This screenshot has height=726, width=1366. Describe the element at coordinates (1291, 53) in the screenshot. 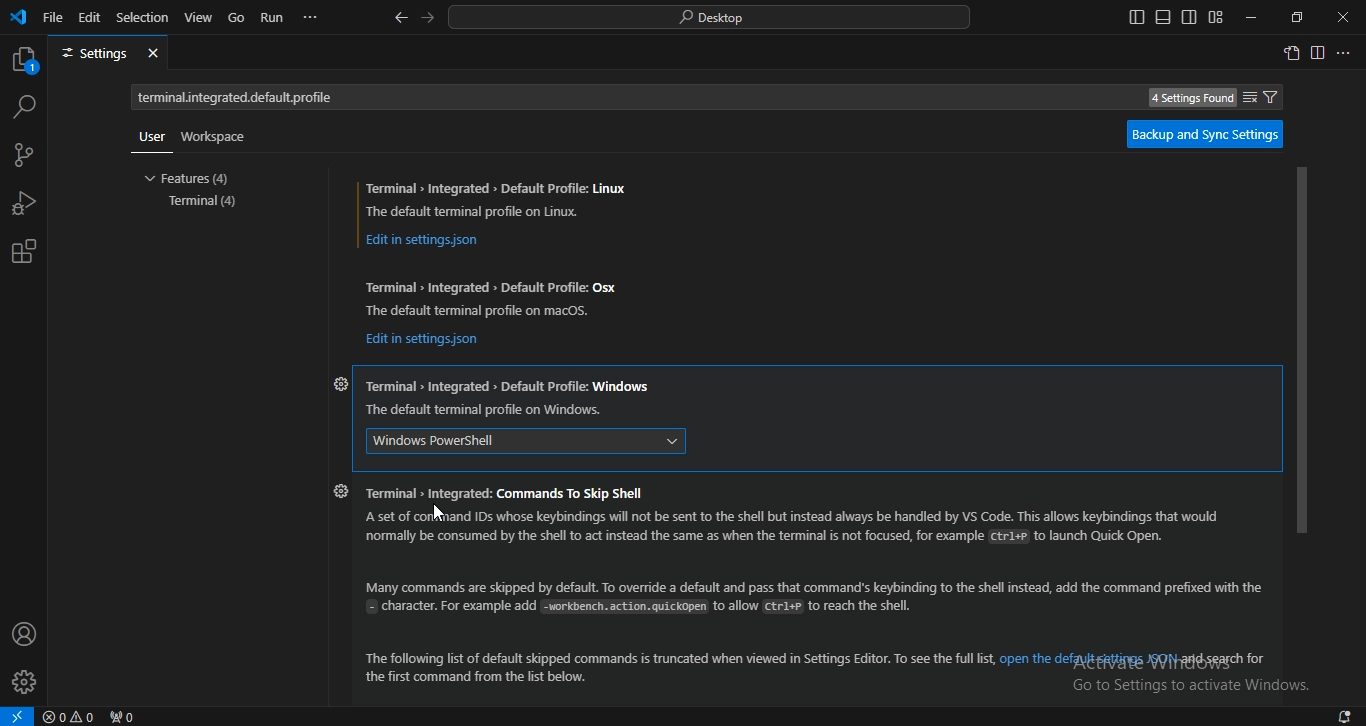

I see `open settings window` at that location.